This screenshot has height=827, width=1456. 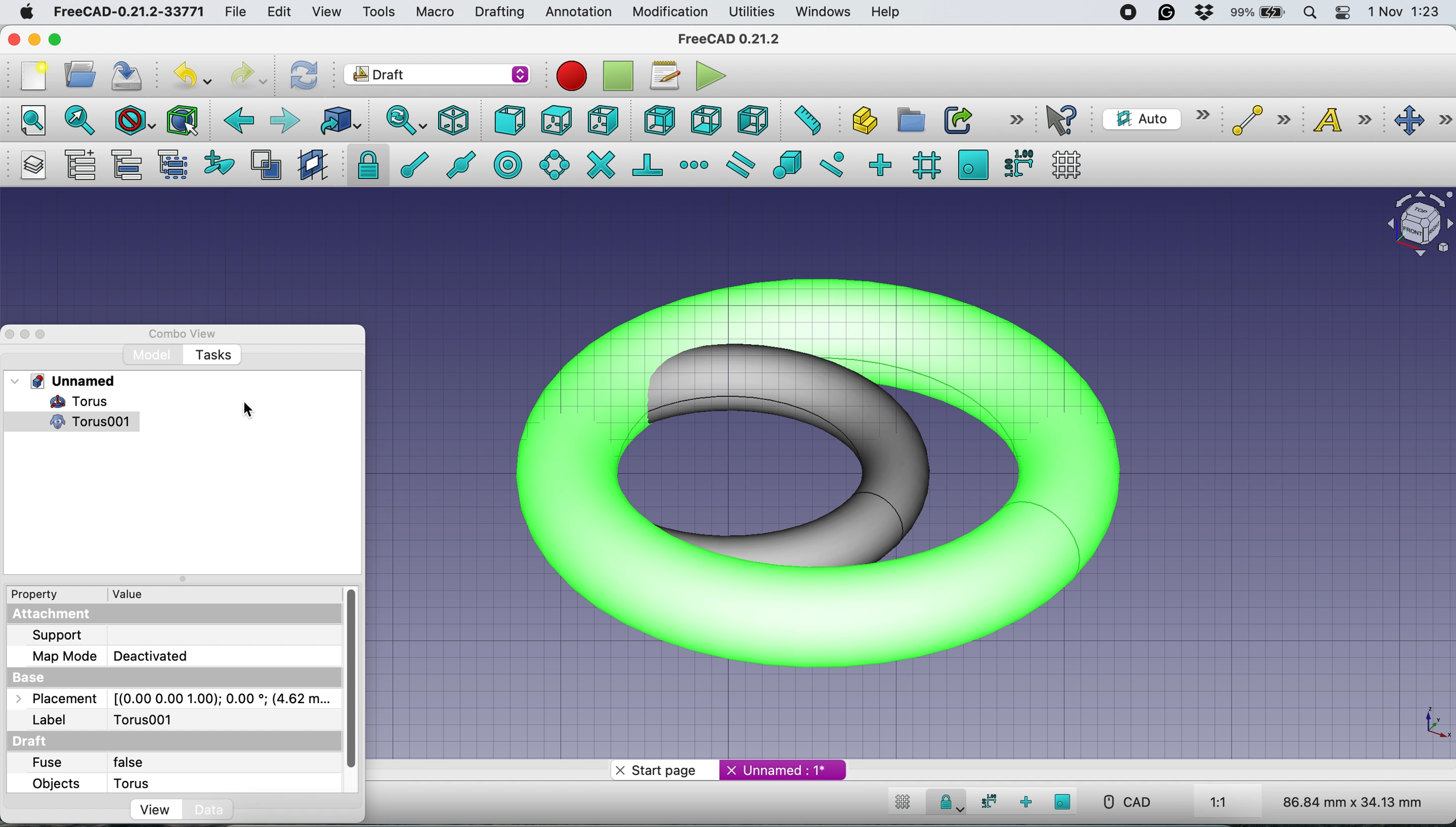 I want to click on combo view, so click(x=190, y=335).